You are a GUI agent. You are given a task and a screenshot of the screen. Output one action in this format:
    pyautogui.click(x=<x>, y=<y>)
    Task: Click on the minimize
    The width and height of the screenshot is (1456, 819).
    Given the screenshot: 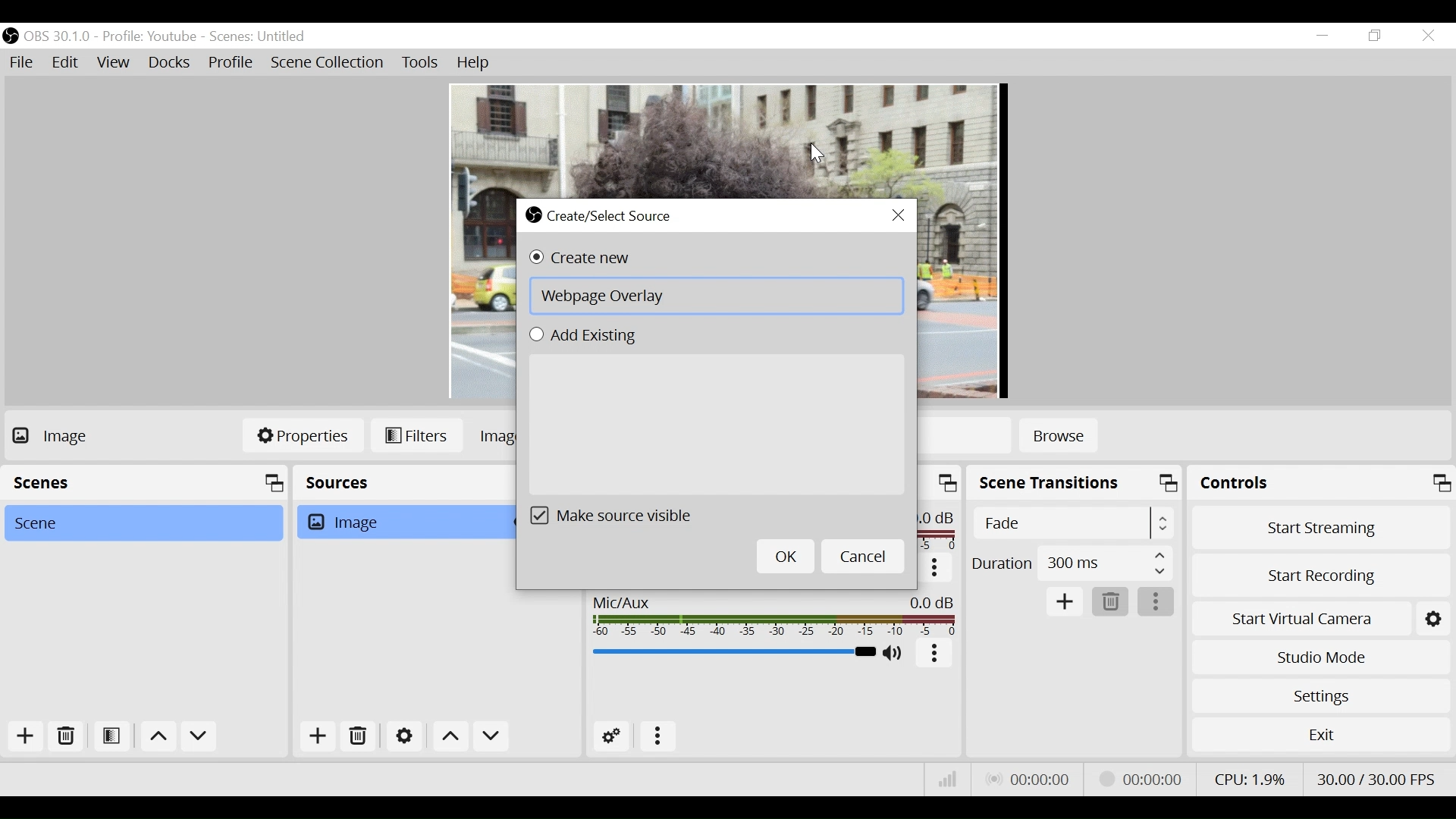 What is the action you would take?
    pyautogui.click(x=1323, y=35)
    